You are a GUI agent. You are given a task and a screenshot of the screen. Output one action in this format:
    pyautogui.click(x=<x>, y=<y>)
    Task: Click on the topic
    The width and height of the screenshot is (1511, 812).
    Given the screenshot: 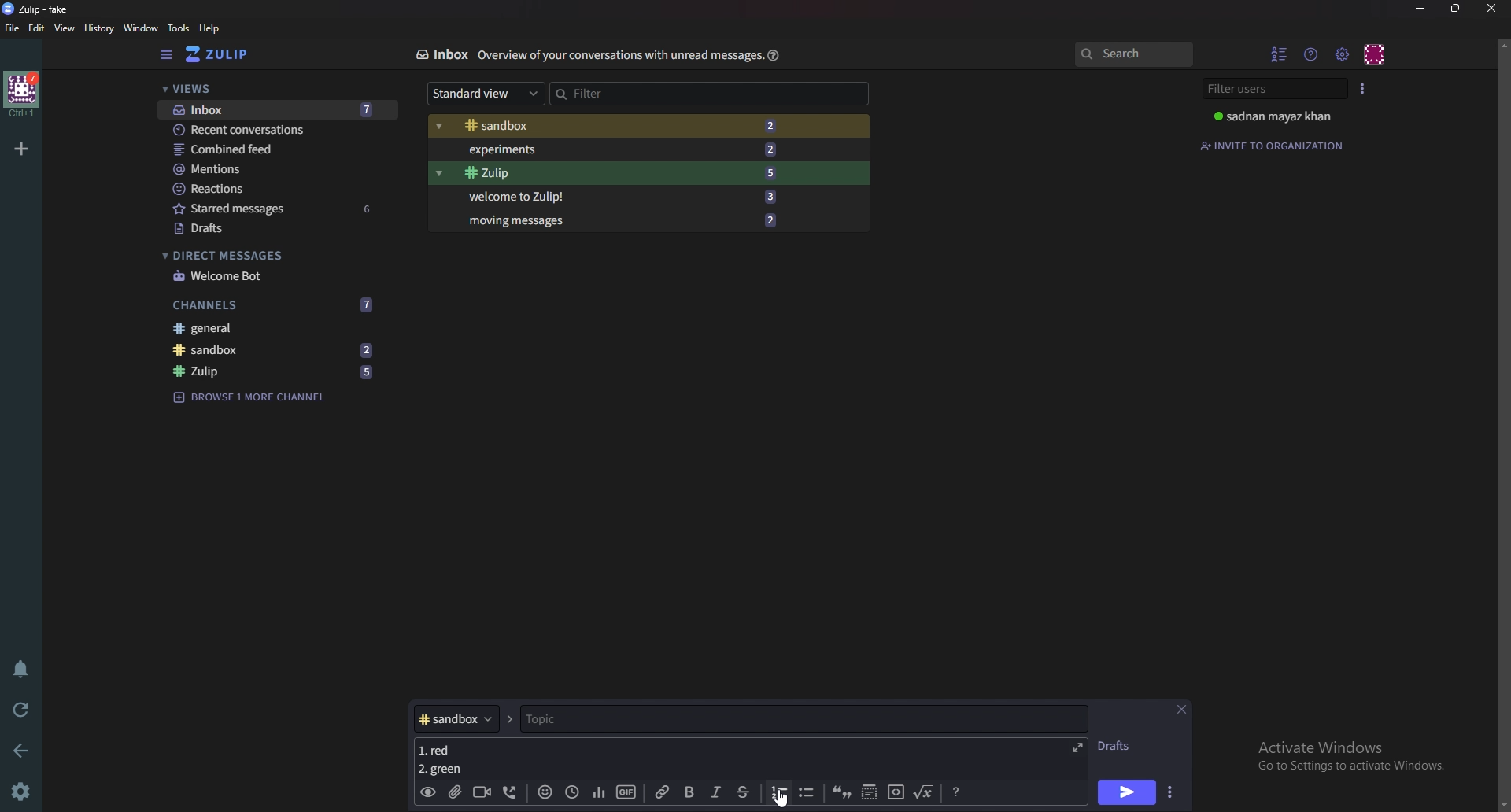 What is the action you would take?
    pyautogui.click(x=597, y=719)
    